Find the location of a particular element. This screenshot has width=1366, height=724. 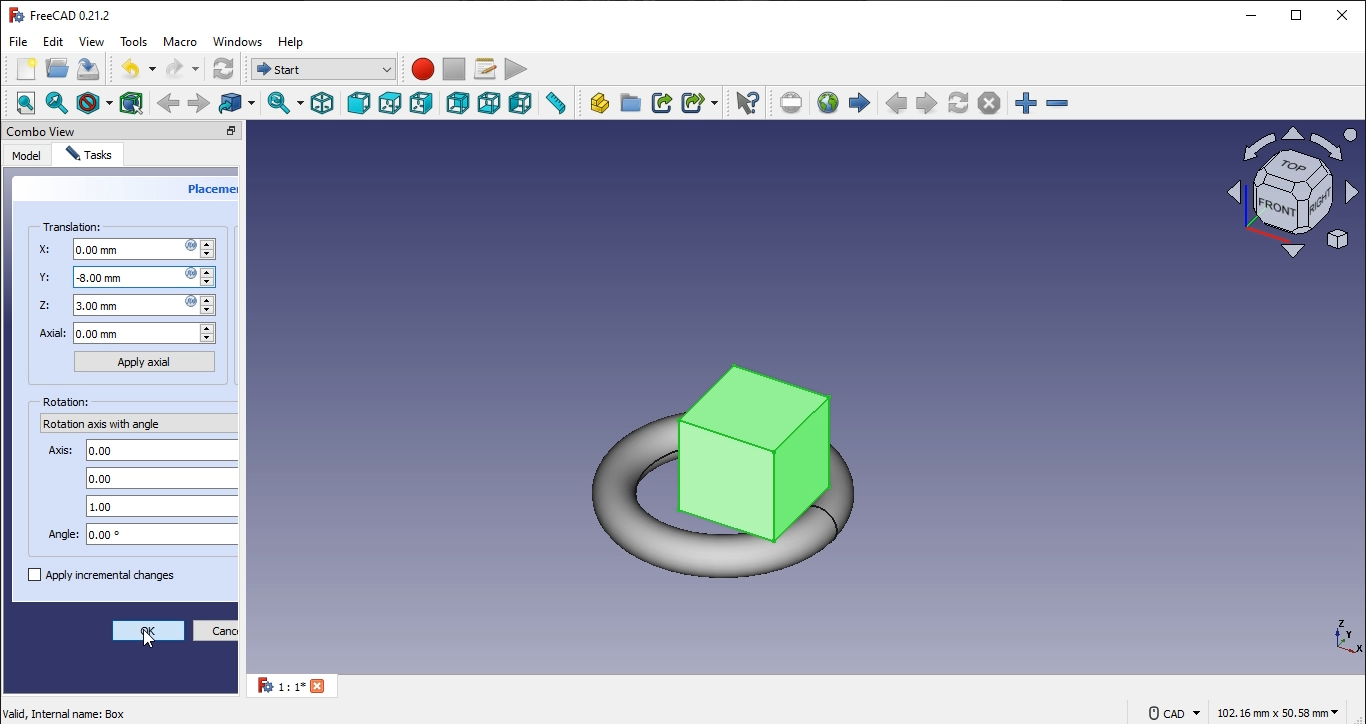

axis is located at coordinates (163, 478).